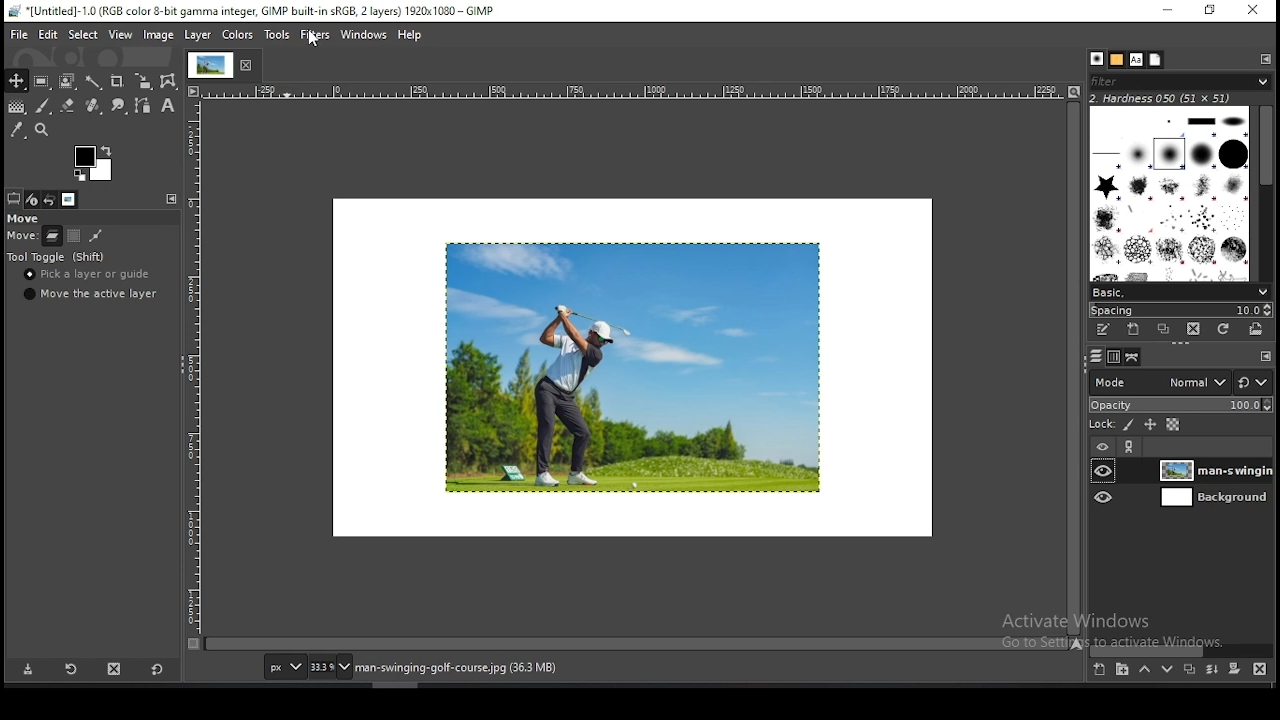  I want to click on gradient fill tool, so click(18, 107).